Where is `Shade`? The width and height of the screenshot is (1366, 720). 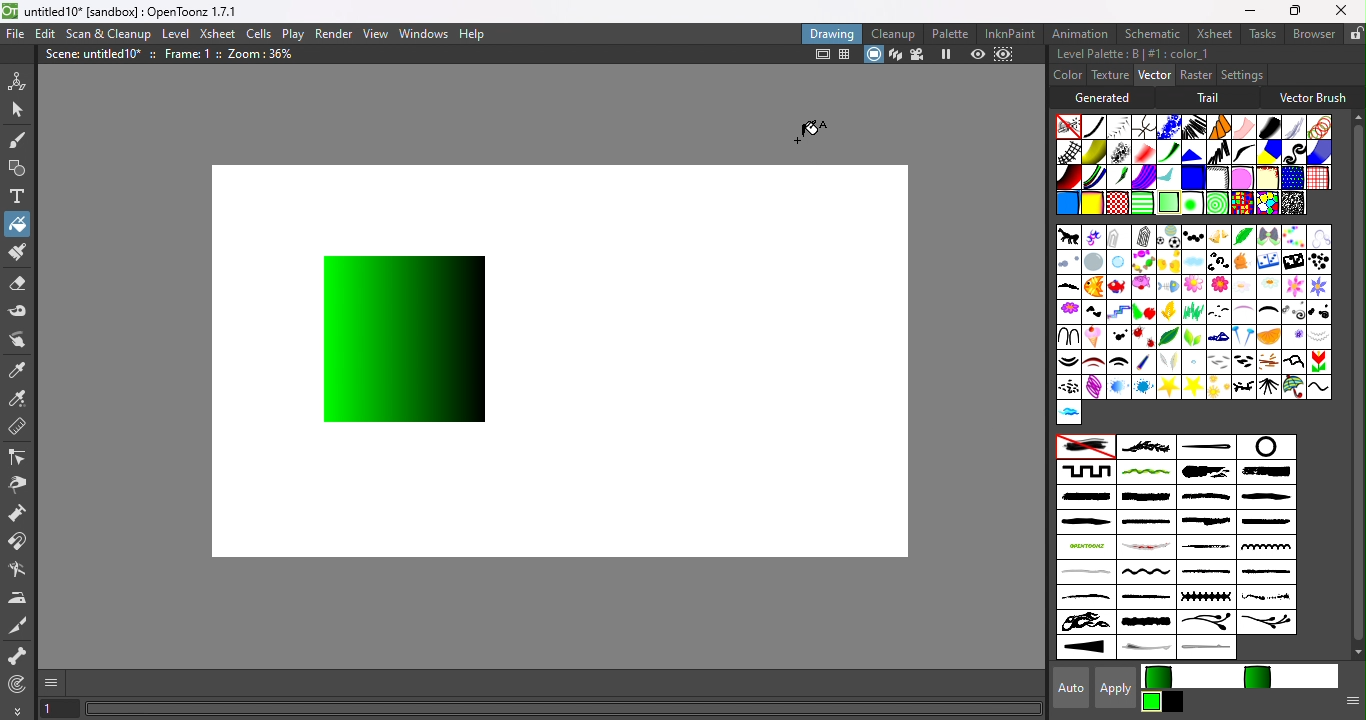 Shade is located at coordinates (1068, 177).